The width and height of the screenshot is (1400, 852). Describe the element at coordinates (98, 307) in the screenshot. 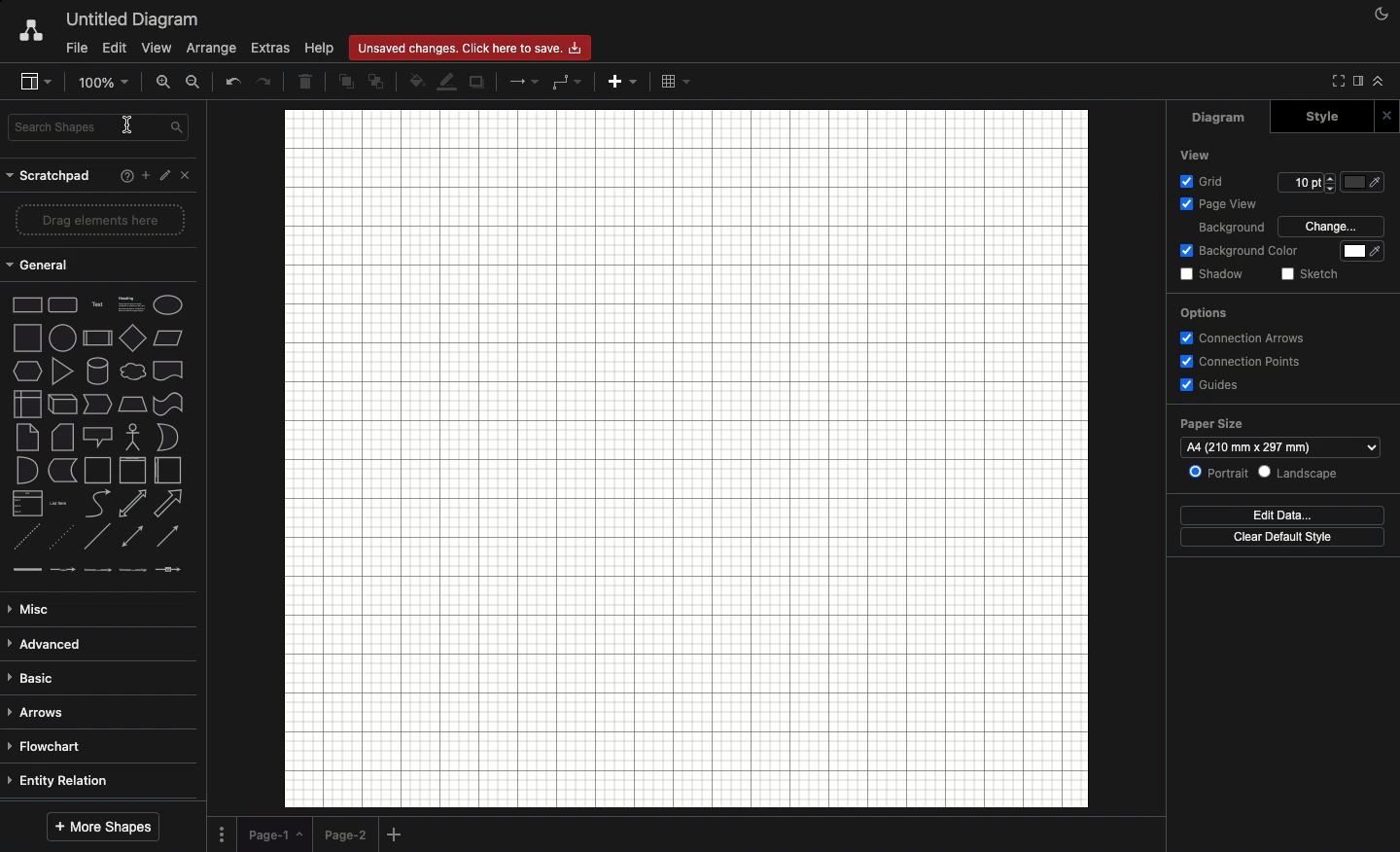

I see `` at that location.